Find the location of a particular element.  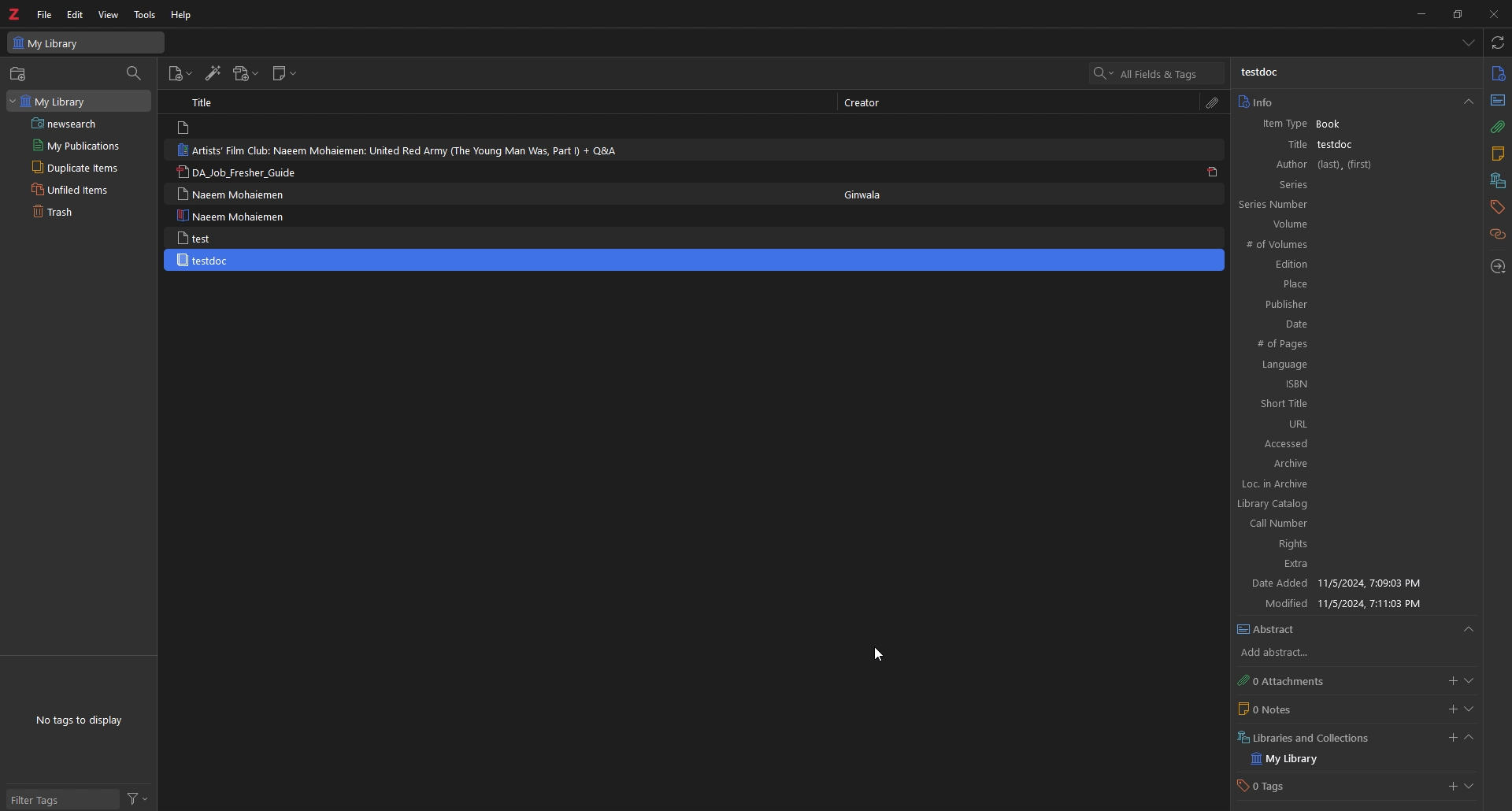

collection and libraries is located at coordinates (1496, 182).